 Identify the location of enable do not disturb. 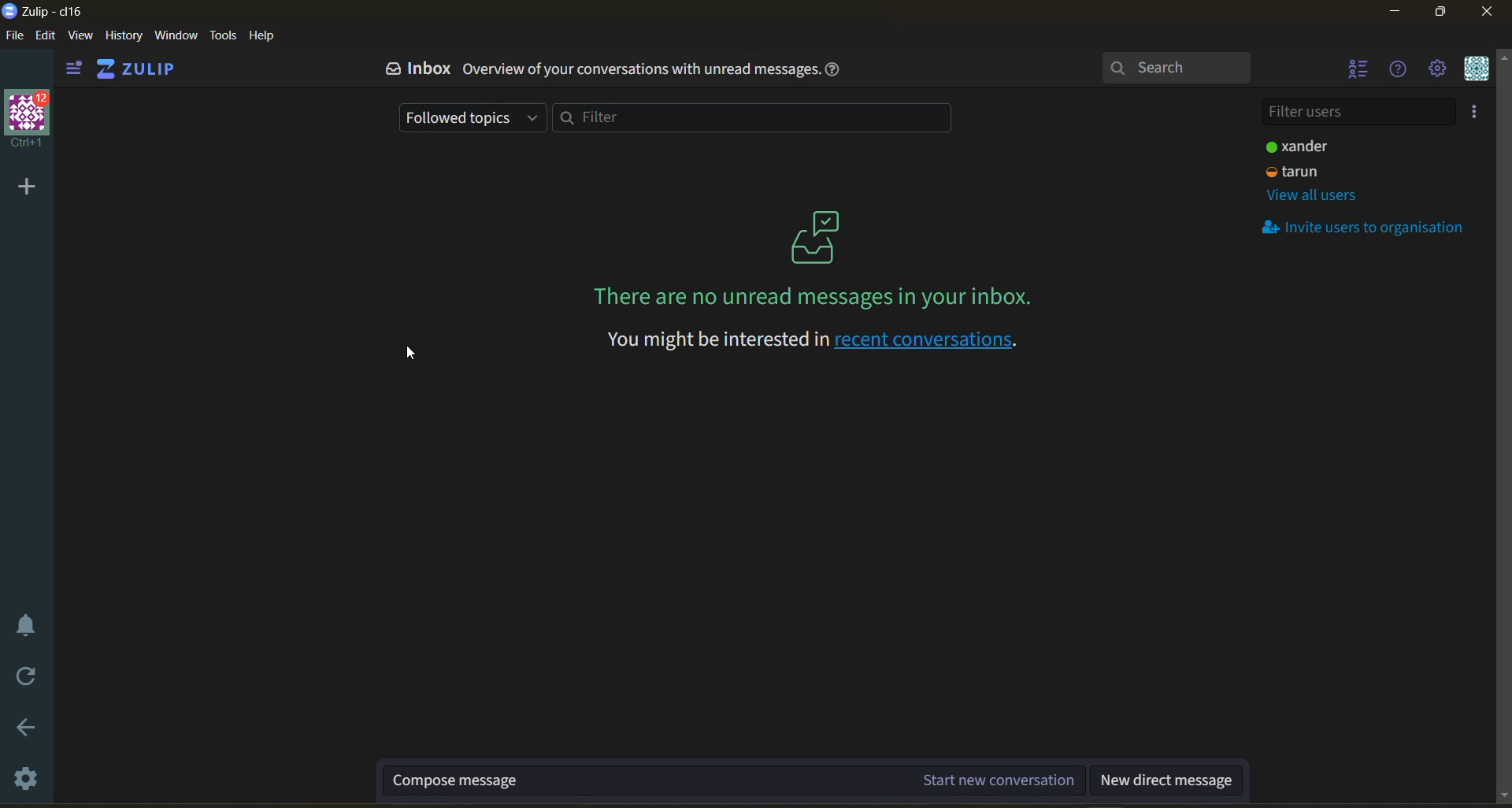
(28, 625).